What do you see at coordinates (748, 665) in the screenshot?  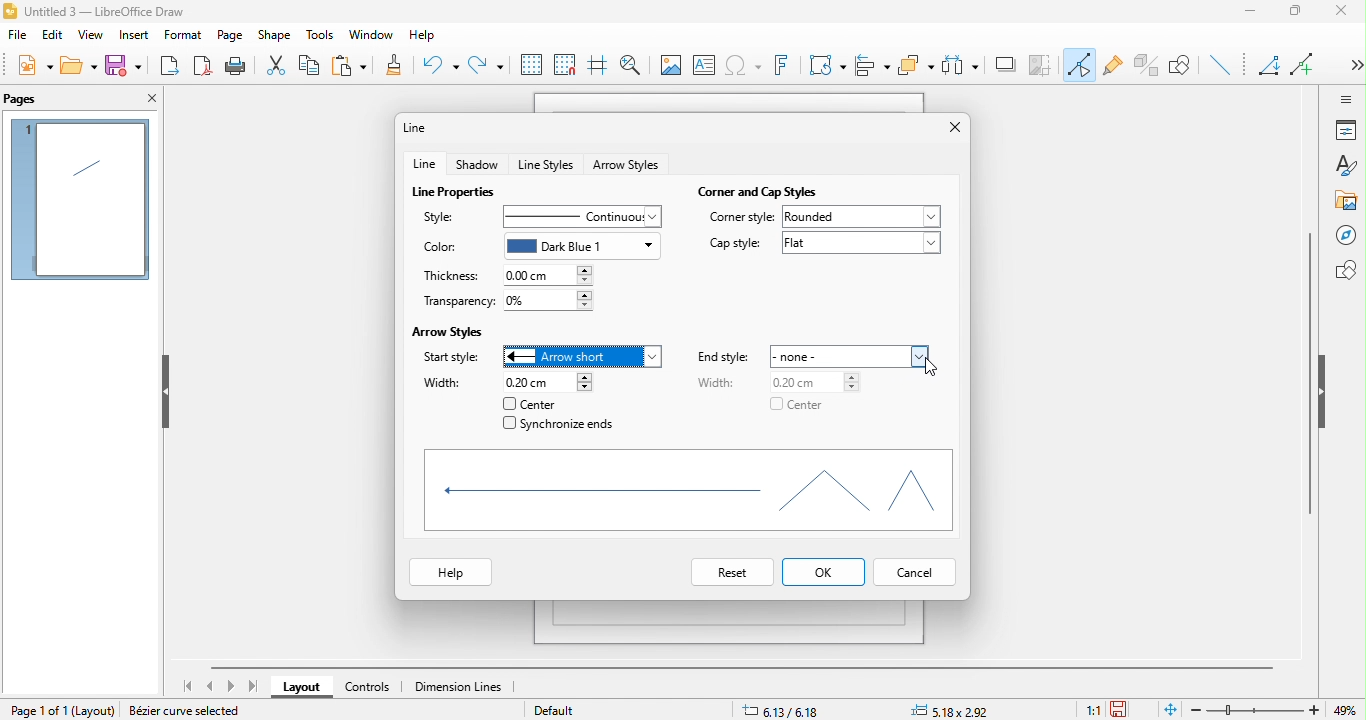 I see `horizontal scroll bar` at bounding box center [748, 665].